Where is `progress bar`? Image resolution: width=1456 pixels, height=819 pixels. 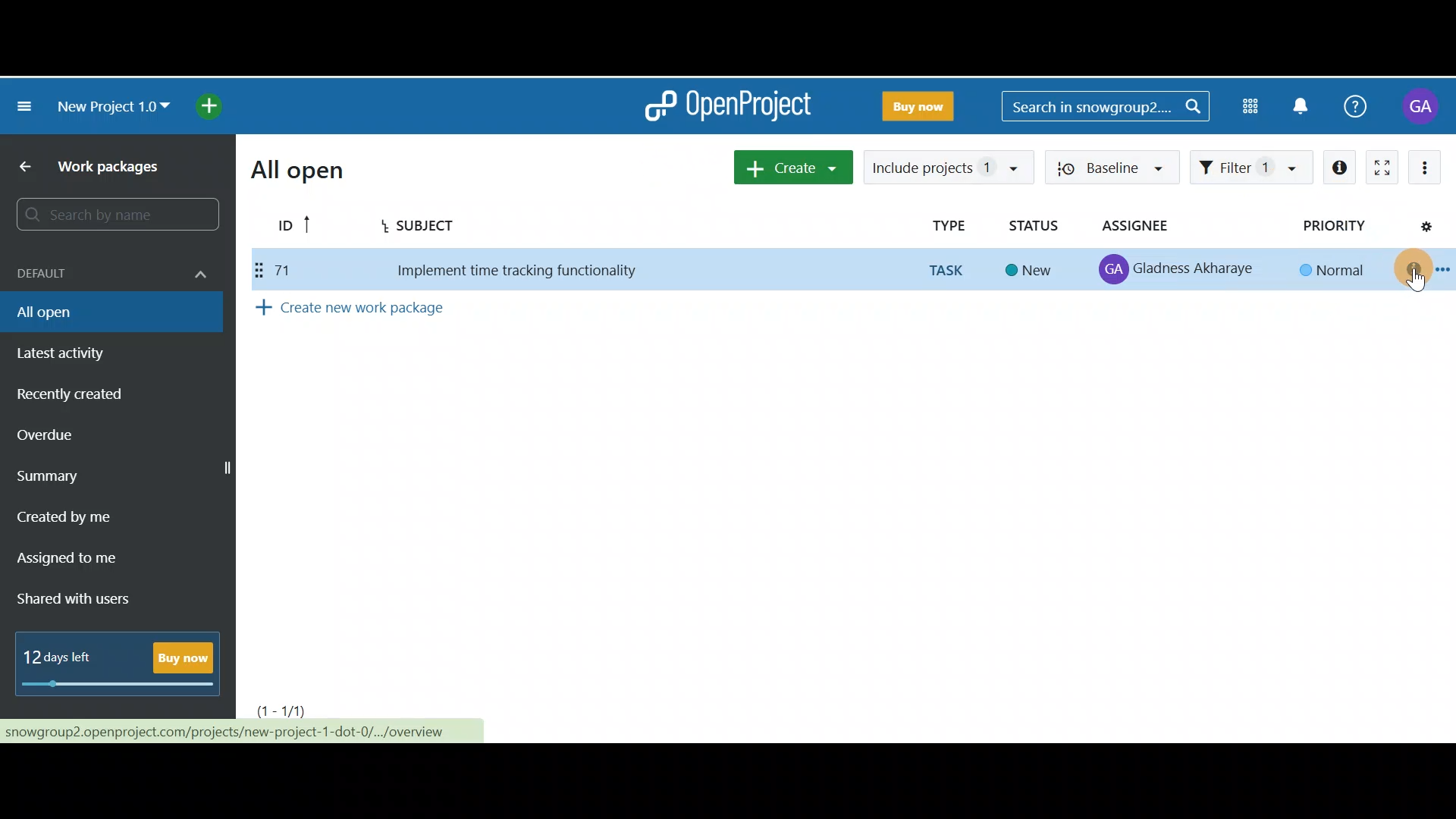 progress bar is located at coordinates (120, 686).